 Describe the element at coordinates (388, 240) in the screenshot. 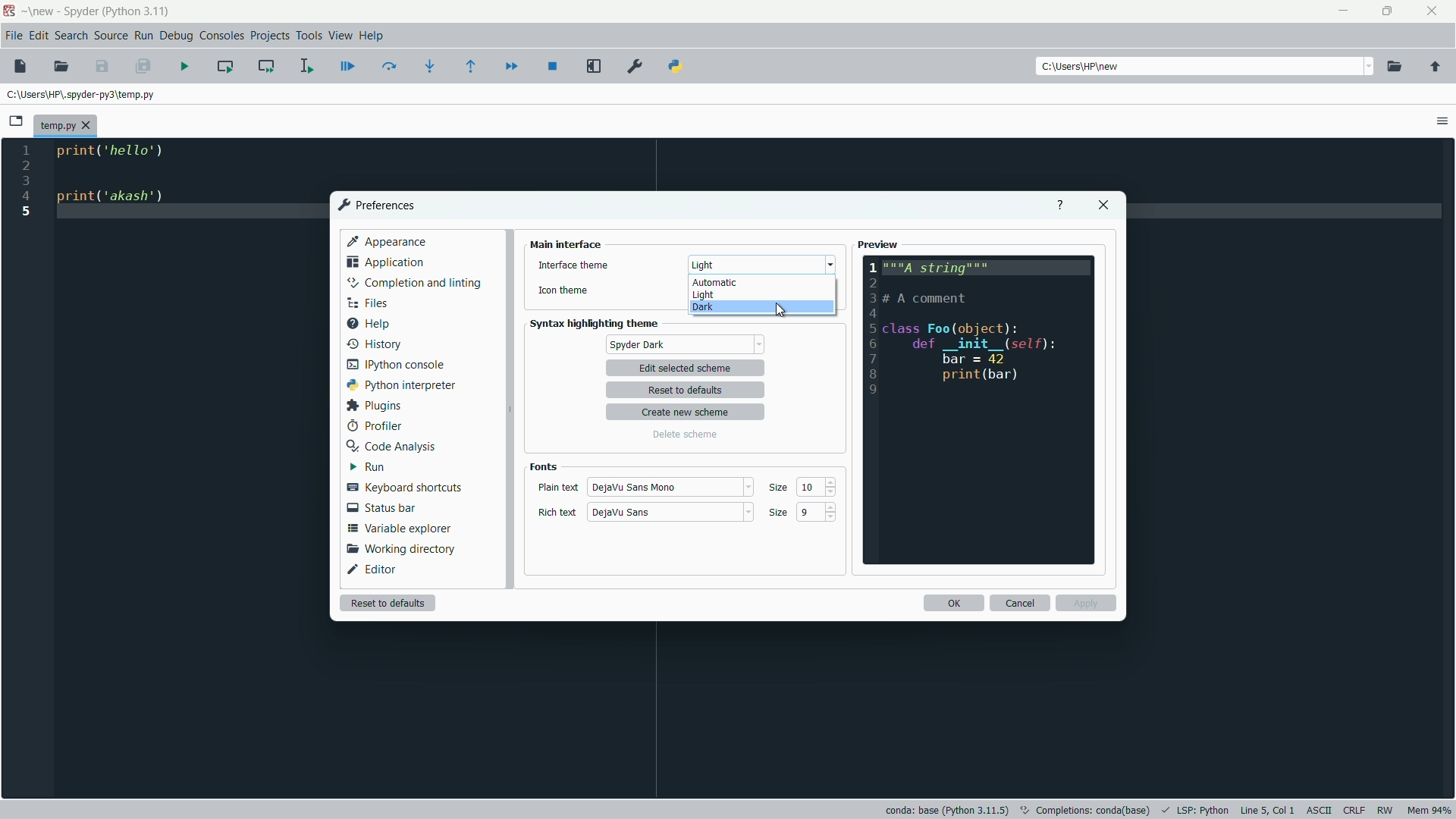

I see `appearance` at that location.